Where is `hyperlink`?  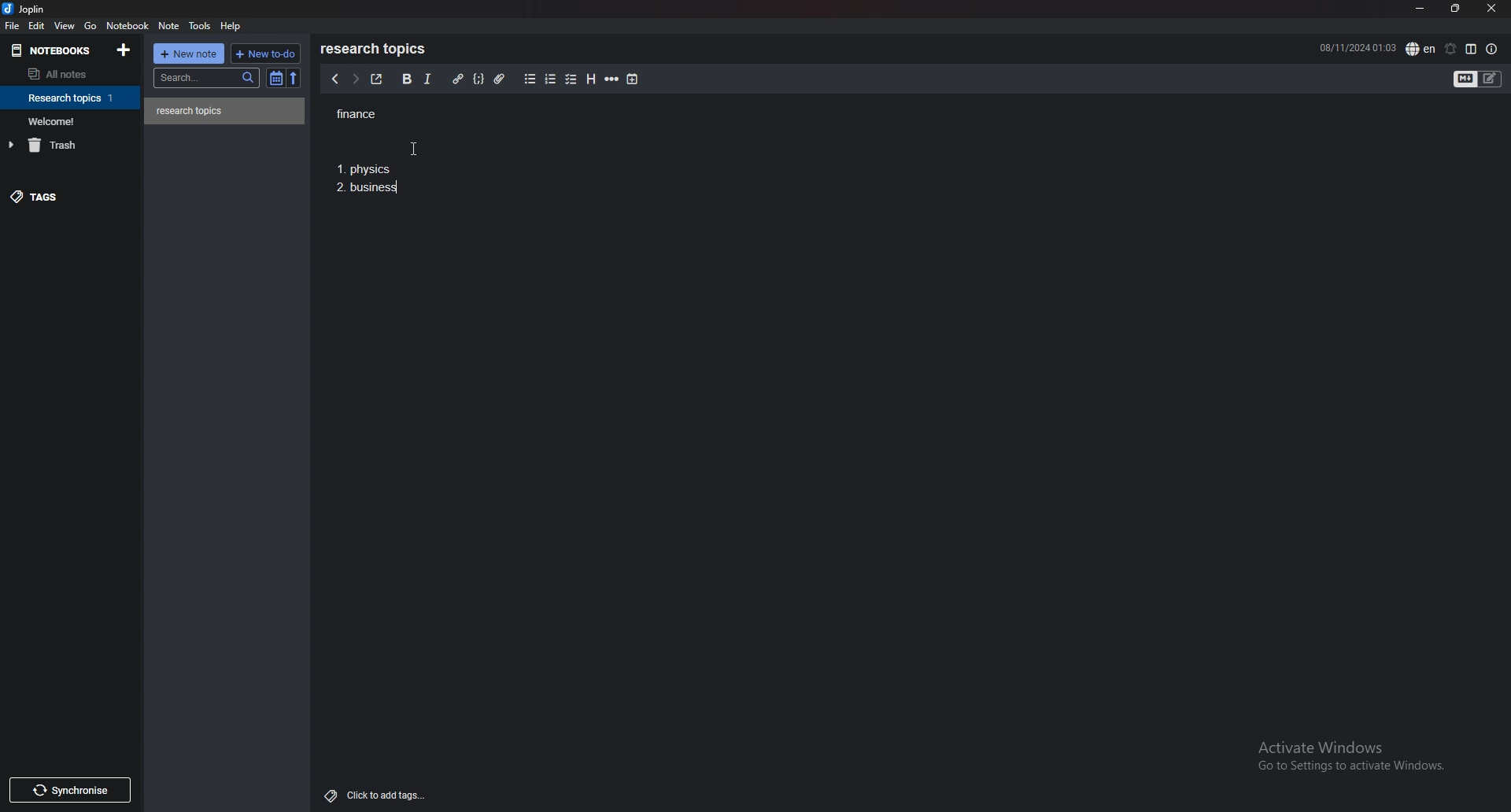 hyperlink is located at coordinates (457, 79).